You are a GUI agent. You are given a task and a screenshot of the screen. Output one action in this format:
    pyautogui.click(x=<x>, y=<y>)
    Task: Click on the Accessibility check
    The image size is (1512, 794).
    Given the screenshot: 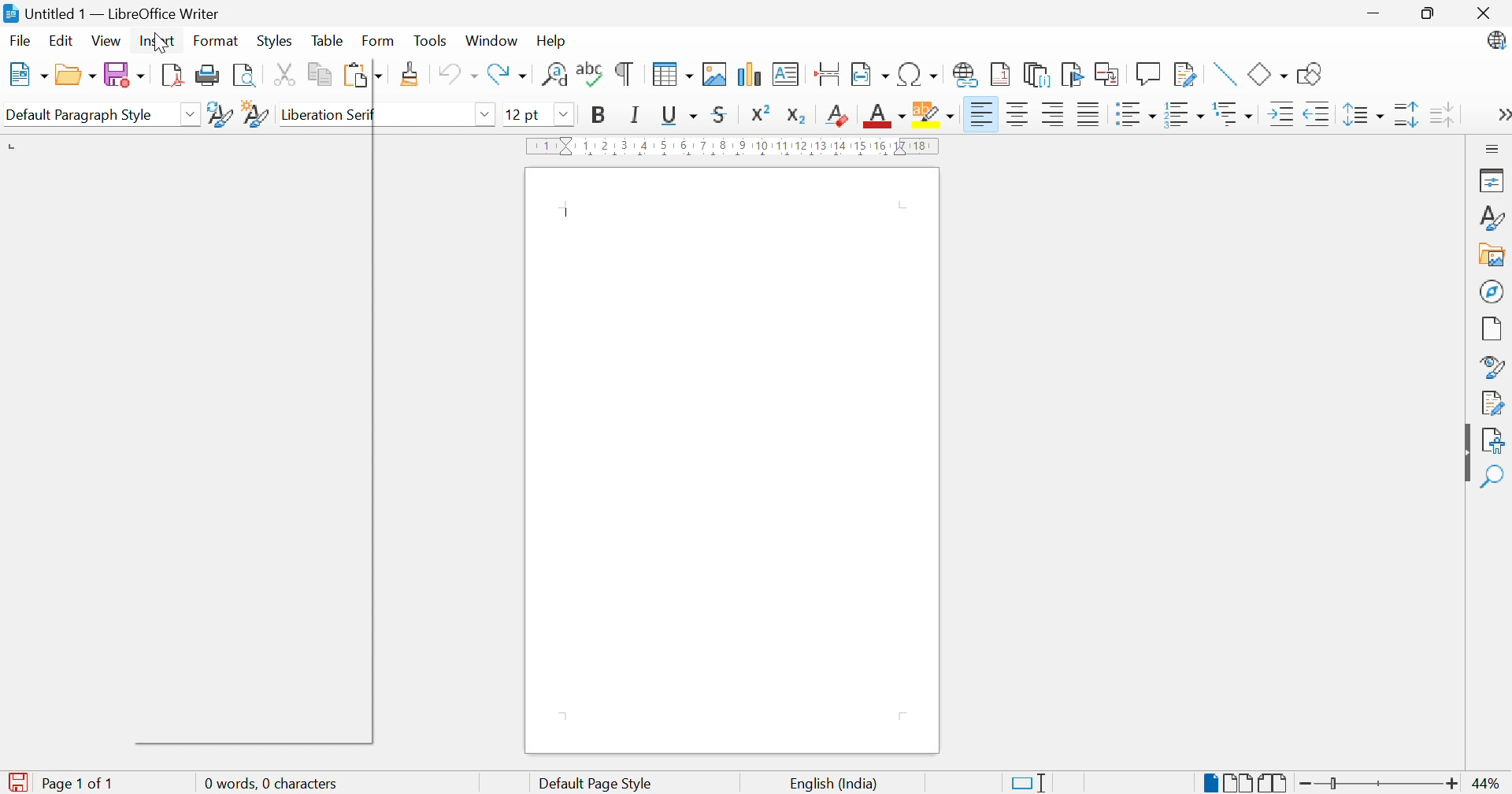 What is the action you would take?
    pyautogui.click(x=1493, y=442)
    